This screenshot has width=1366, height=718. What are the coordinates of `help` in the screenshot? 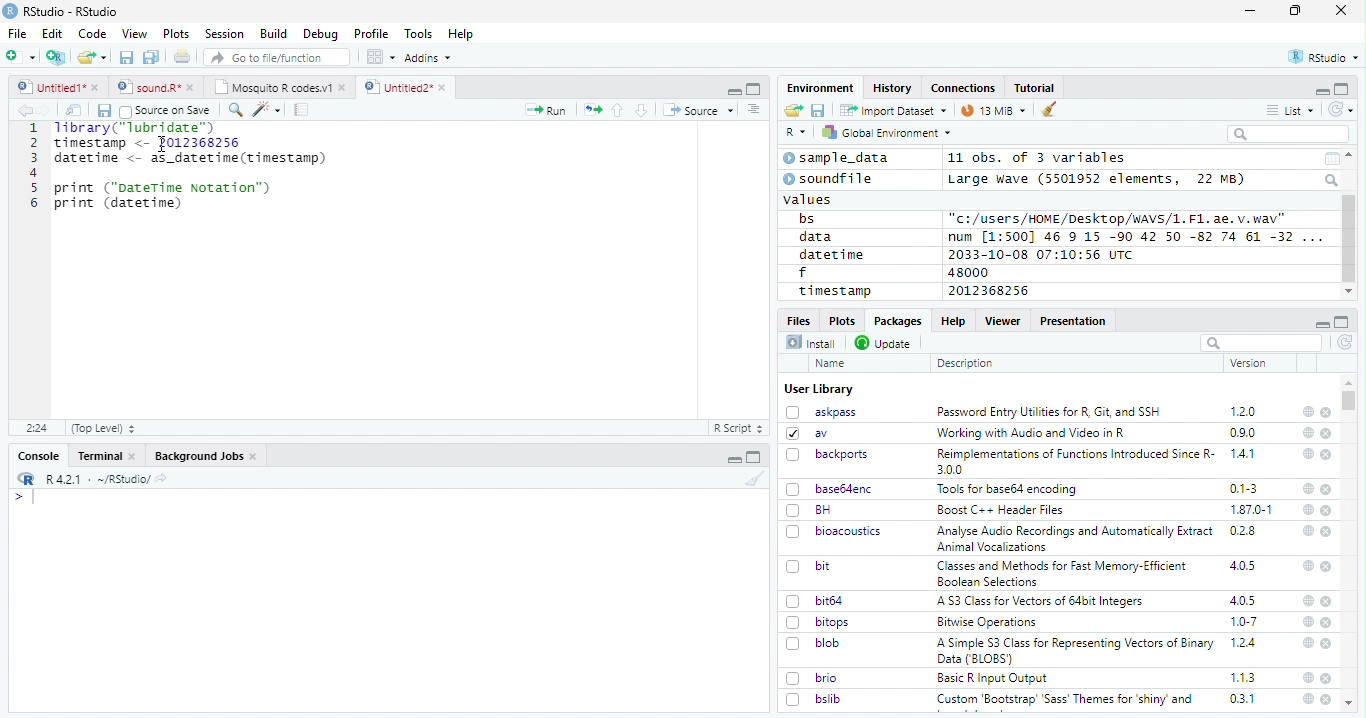 It's located at (1307, 411).